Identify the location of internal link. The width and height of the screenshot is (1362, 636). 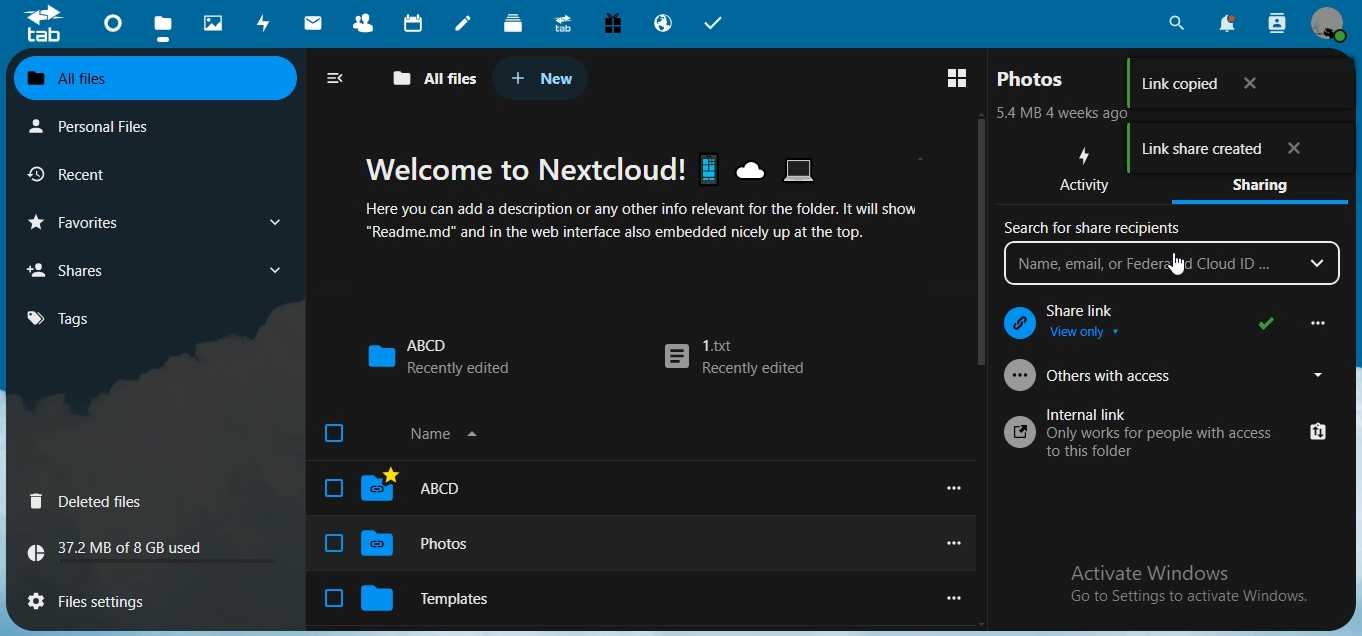
(1168, 434).